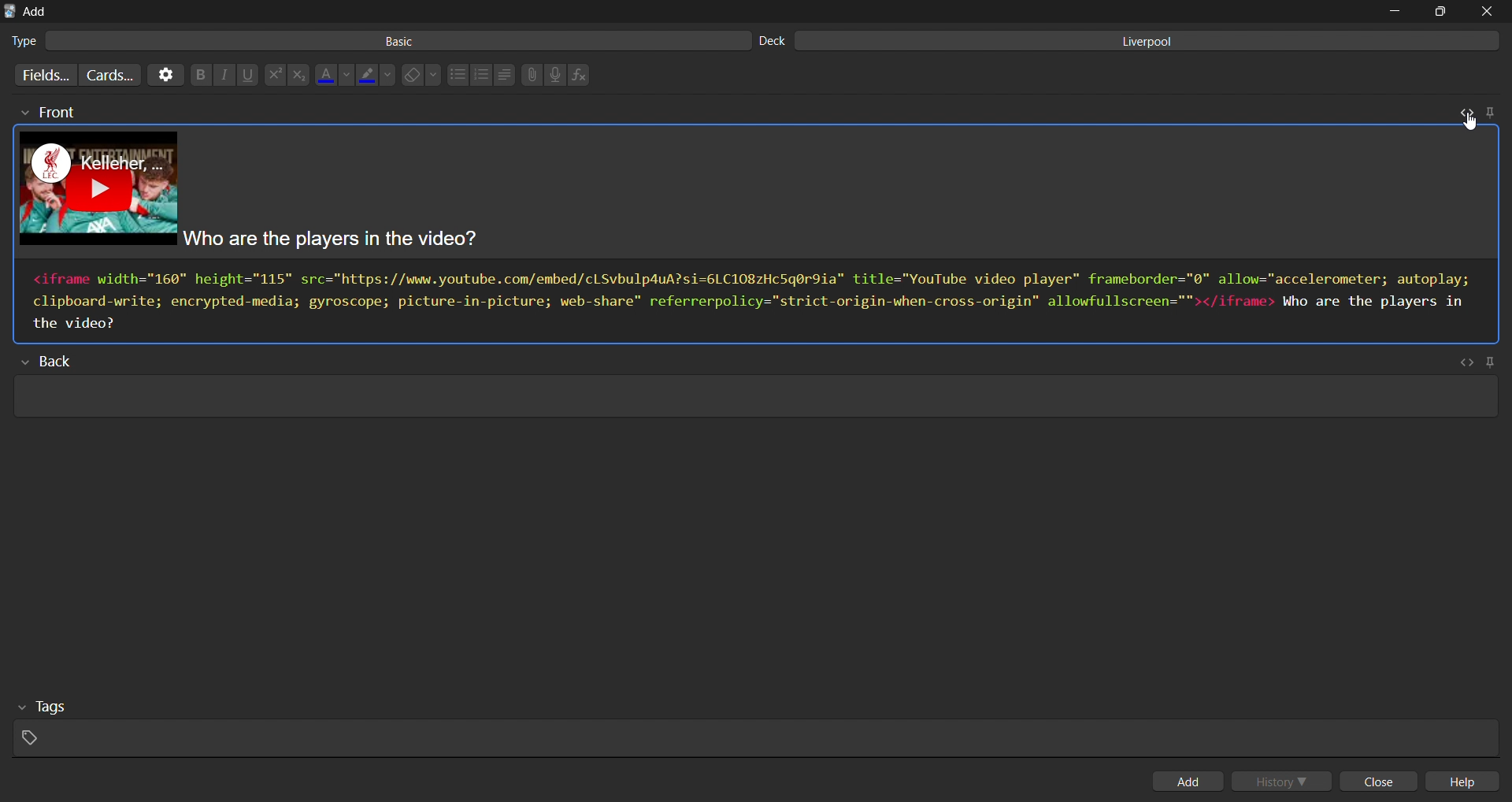 This screenshot has width=1512, height=802. What do you see at coordinates (1383, 782) in the screenshot?
I see `close` at bounding box center [1383, 782].